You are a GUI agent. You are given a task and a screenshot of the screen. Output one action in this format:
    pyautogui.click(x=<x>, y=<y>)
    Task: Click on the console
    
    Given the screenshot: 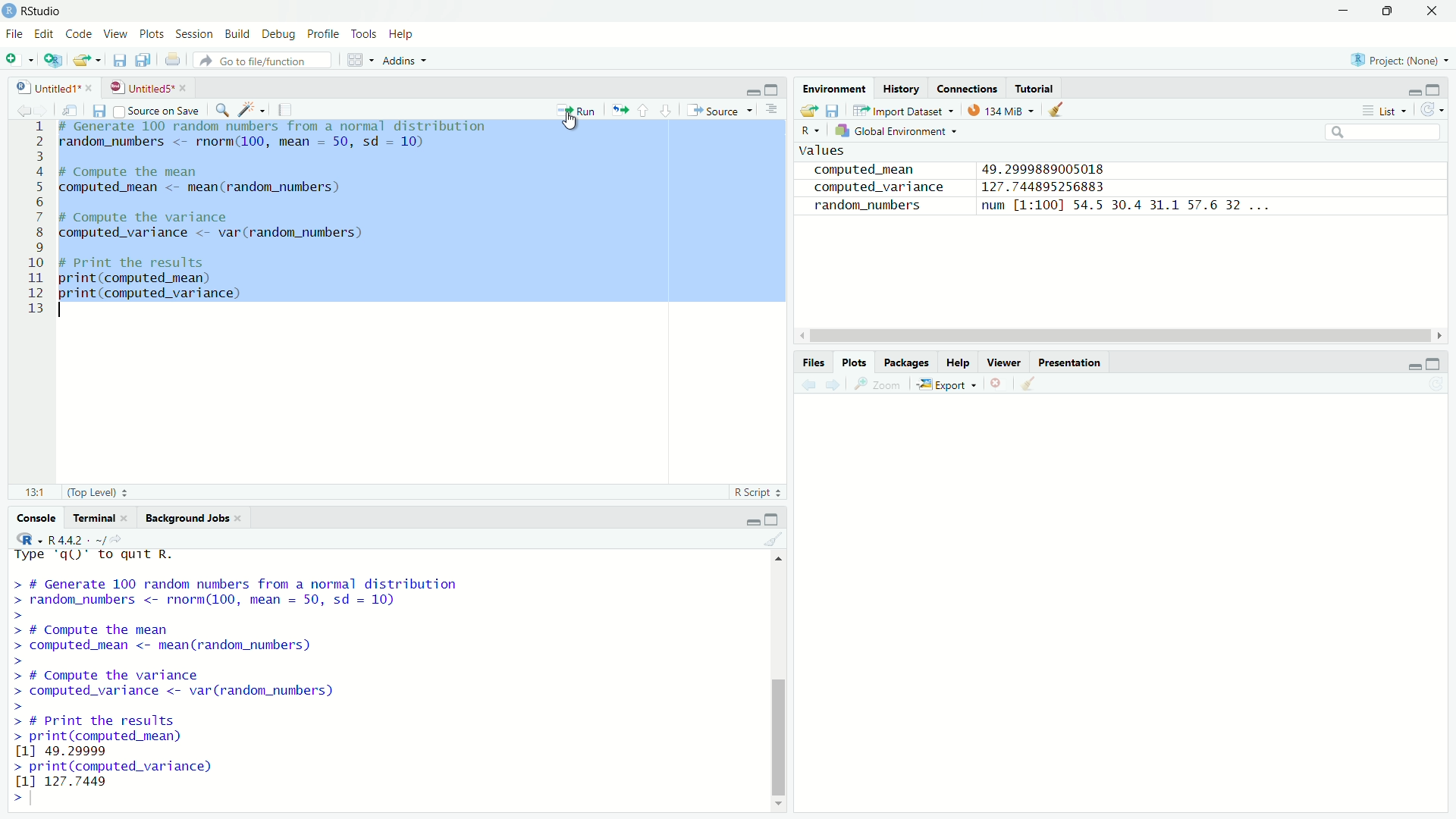 What is the action you would take?
    pyautogui.click(x=31, y=518)
    